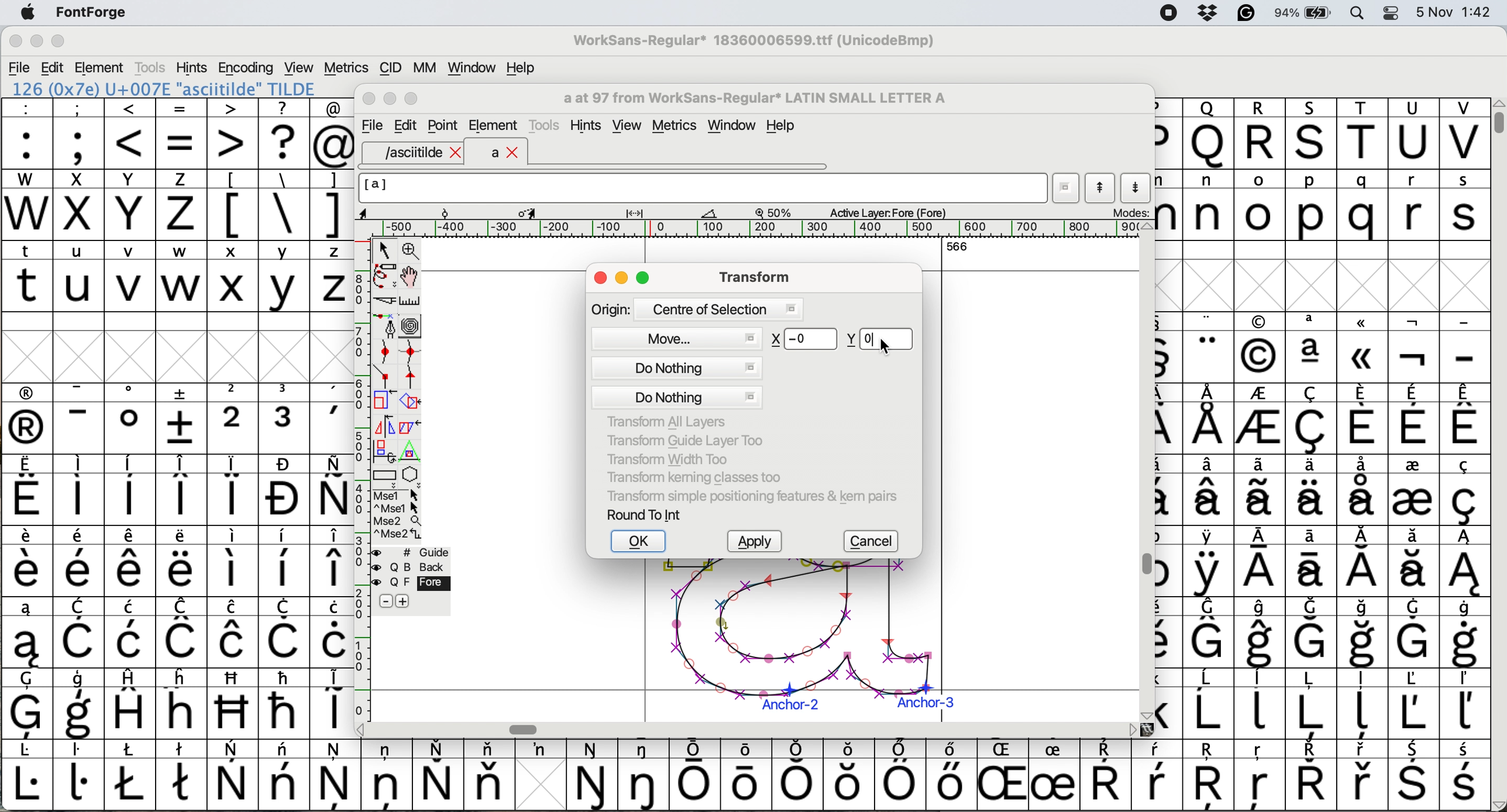  Describe the element at coordinates (386, 325) in the screenshot. I see `add a  point then drag out its control points` at that location.